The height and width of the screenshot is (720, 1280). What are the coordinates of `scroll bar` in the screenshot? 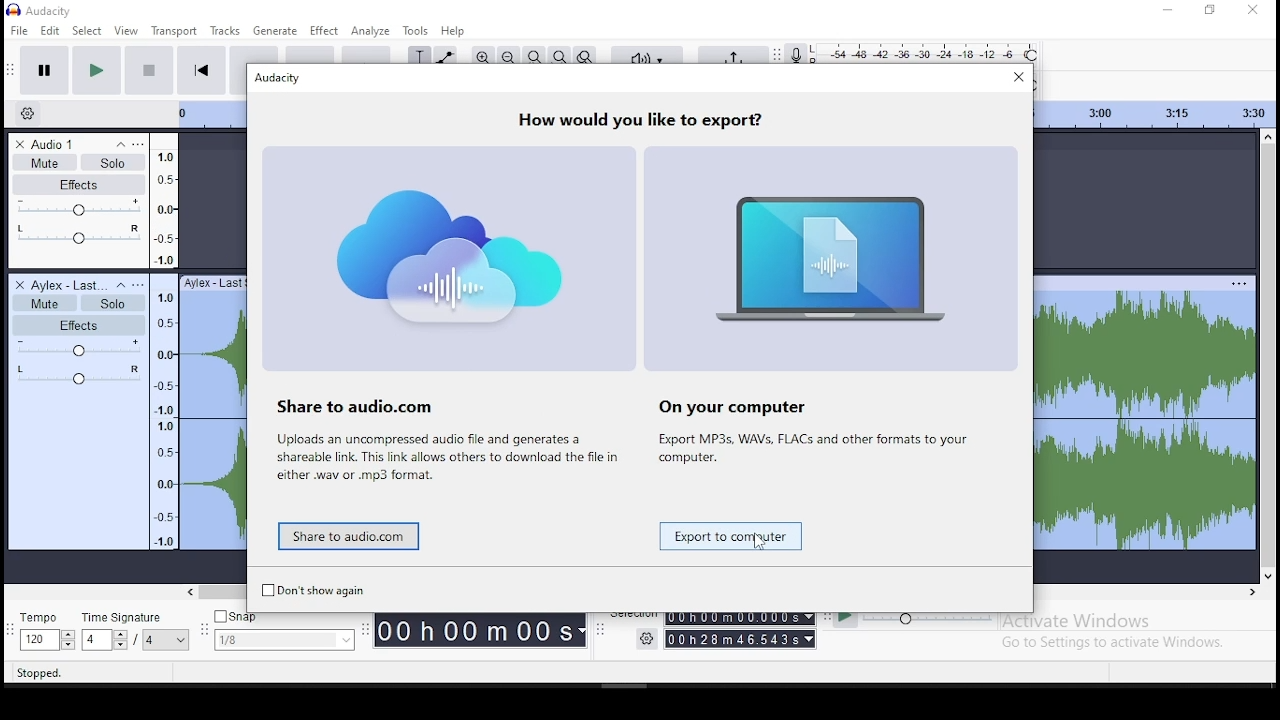 It's located at (1152, 590).